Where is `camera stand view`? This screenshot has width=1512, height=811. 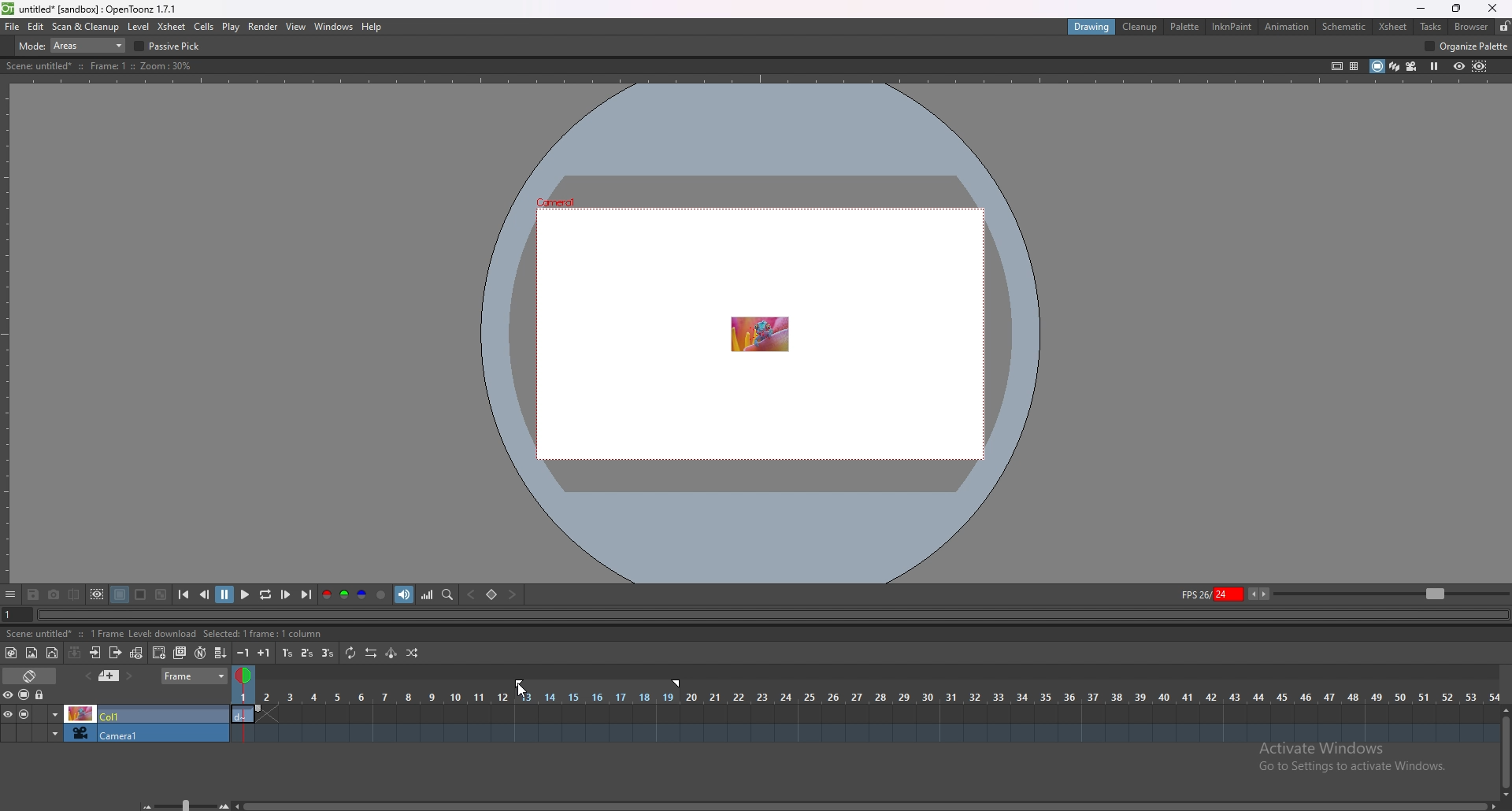
camera stand view is located at coordinates (1376, 66).